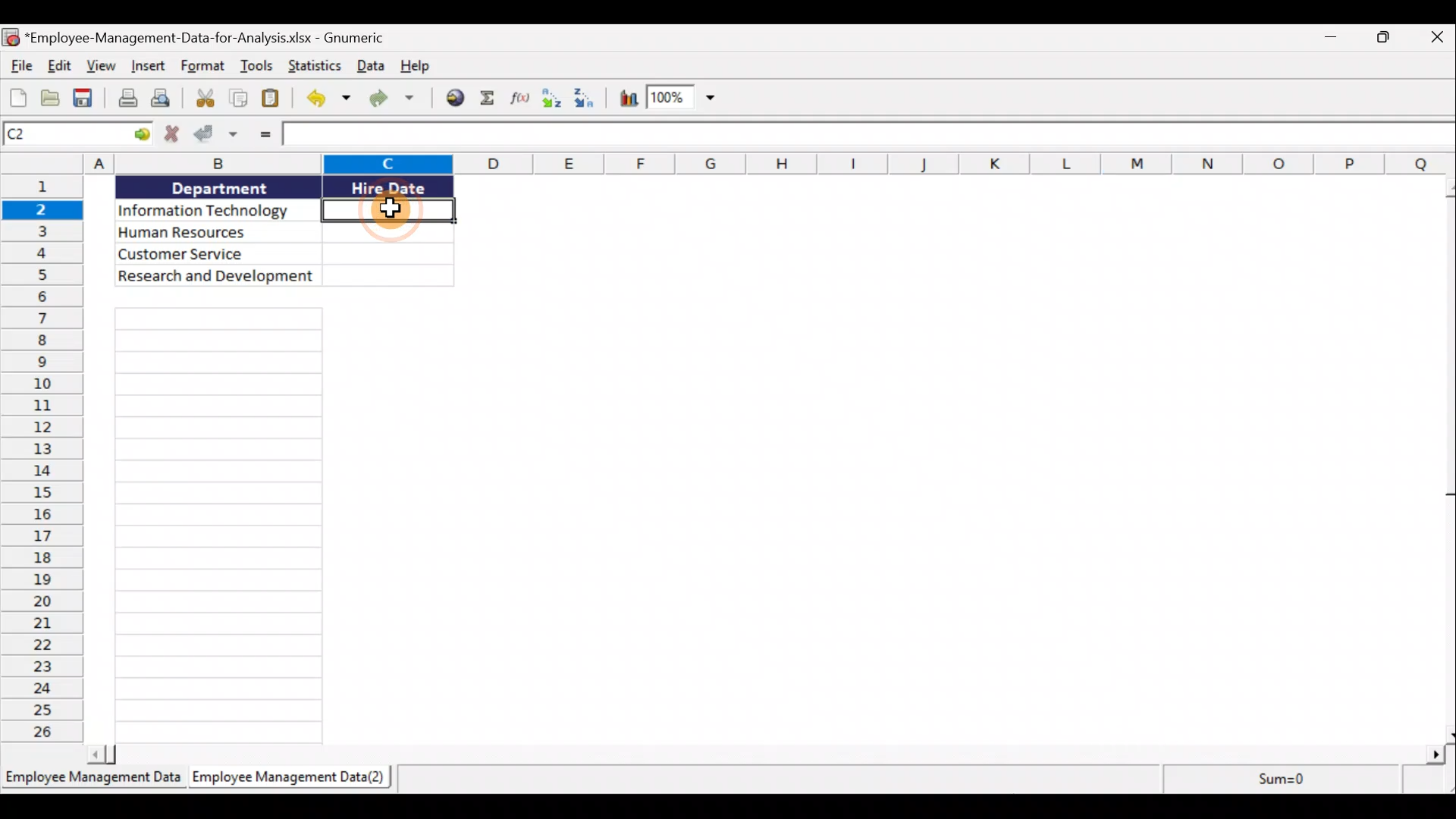 Image resolution: width=1456 pixels, height=819 pixels. Describe the element at coordinates (728, 163) in the screenshot. I see `Columns` at that location.